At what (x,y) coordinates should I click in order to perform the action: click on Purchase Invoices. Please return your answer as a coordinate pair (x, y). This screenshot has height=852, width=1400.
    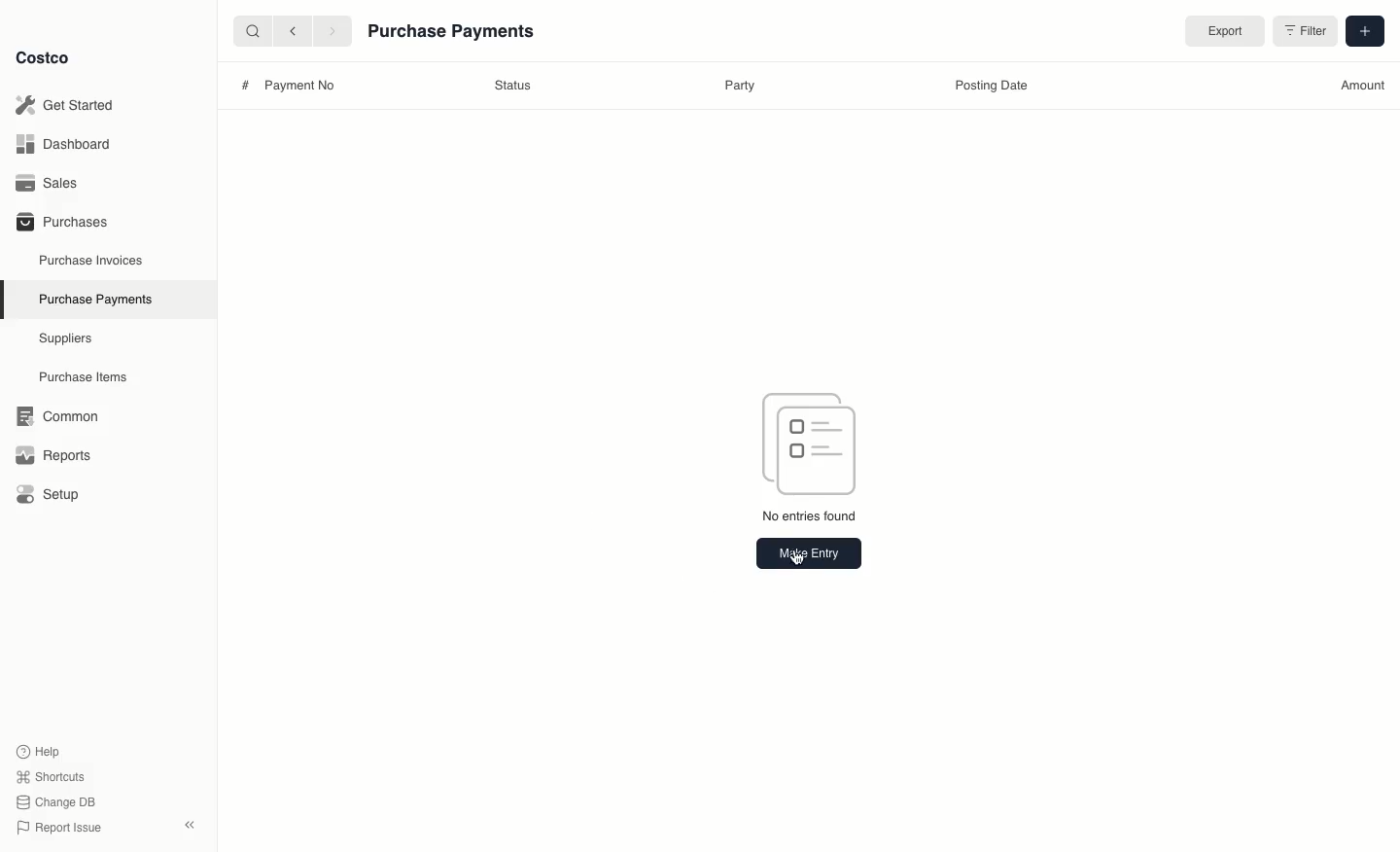
    Looking at the image, I should click on (92, 260).